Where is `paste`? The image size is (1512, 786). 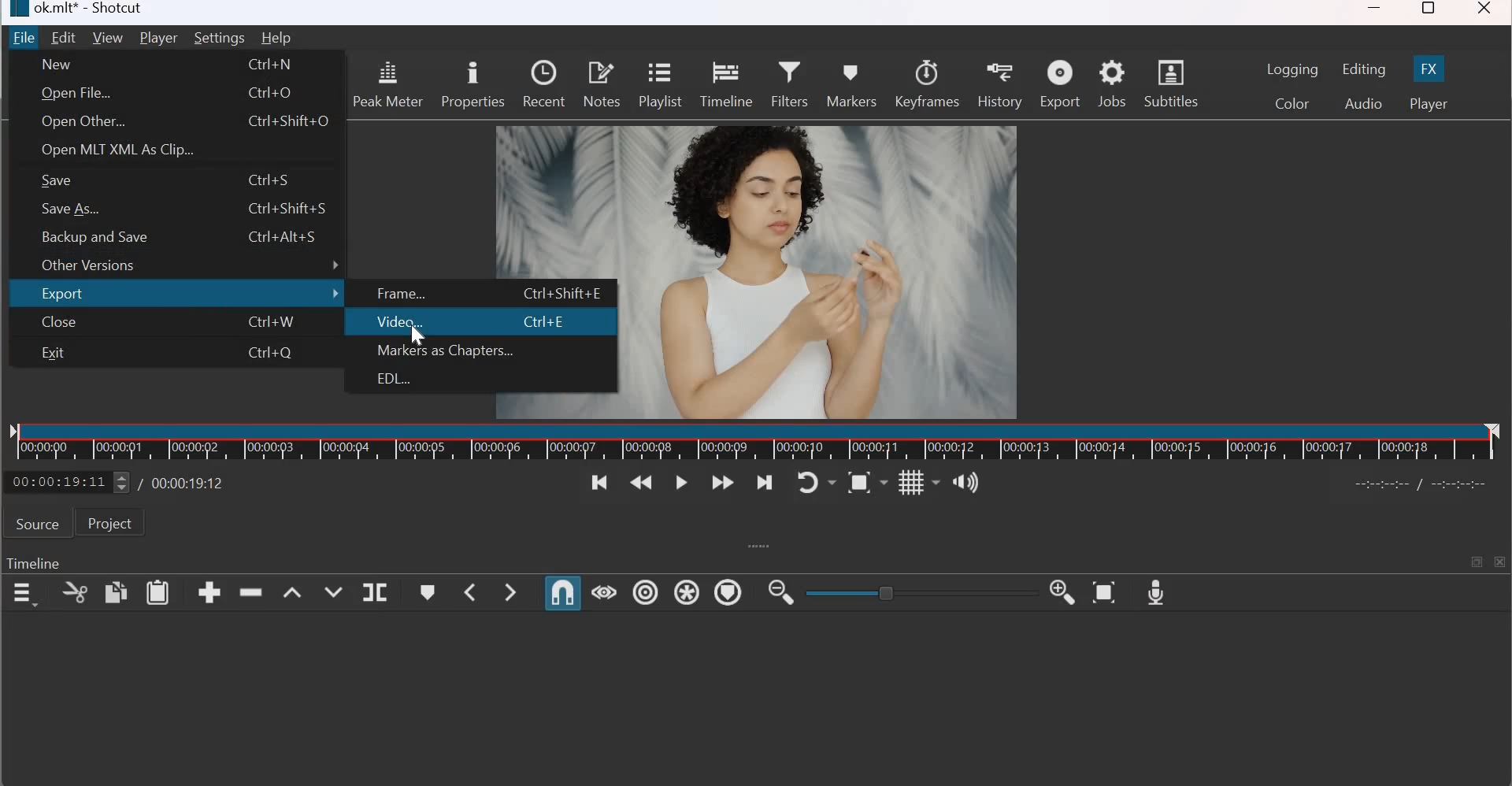
paste is located at coordinates (157, 592).